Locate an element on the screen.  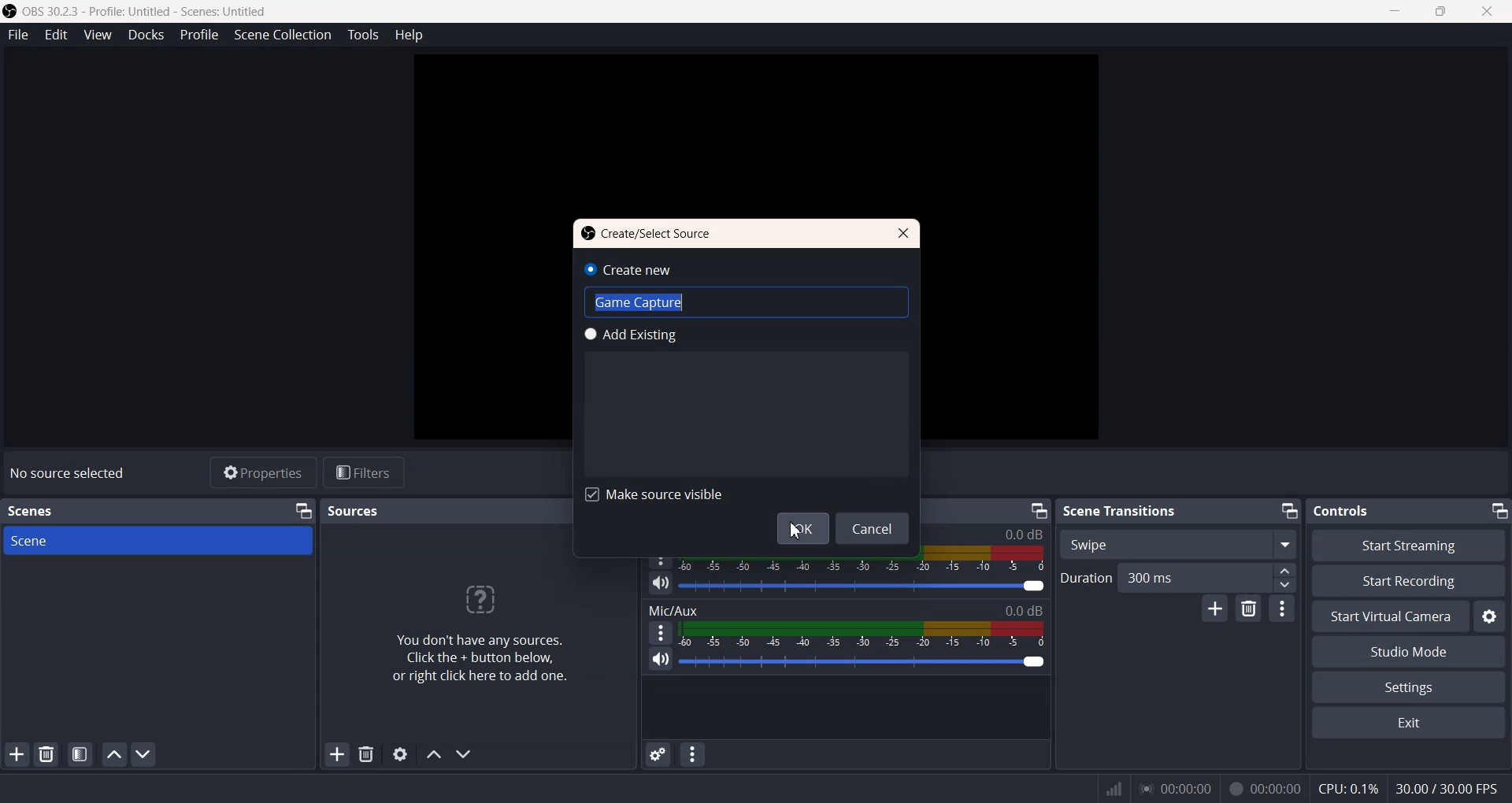
Minimize is located at coordinates (1037, 510).